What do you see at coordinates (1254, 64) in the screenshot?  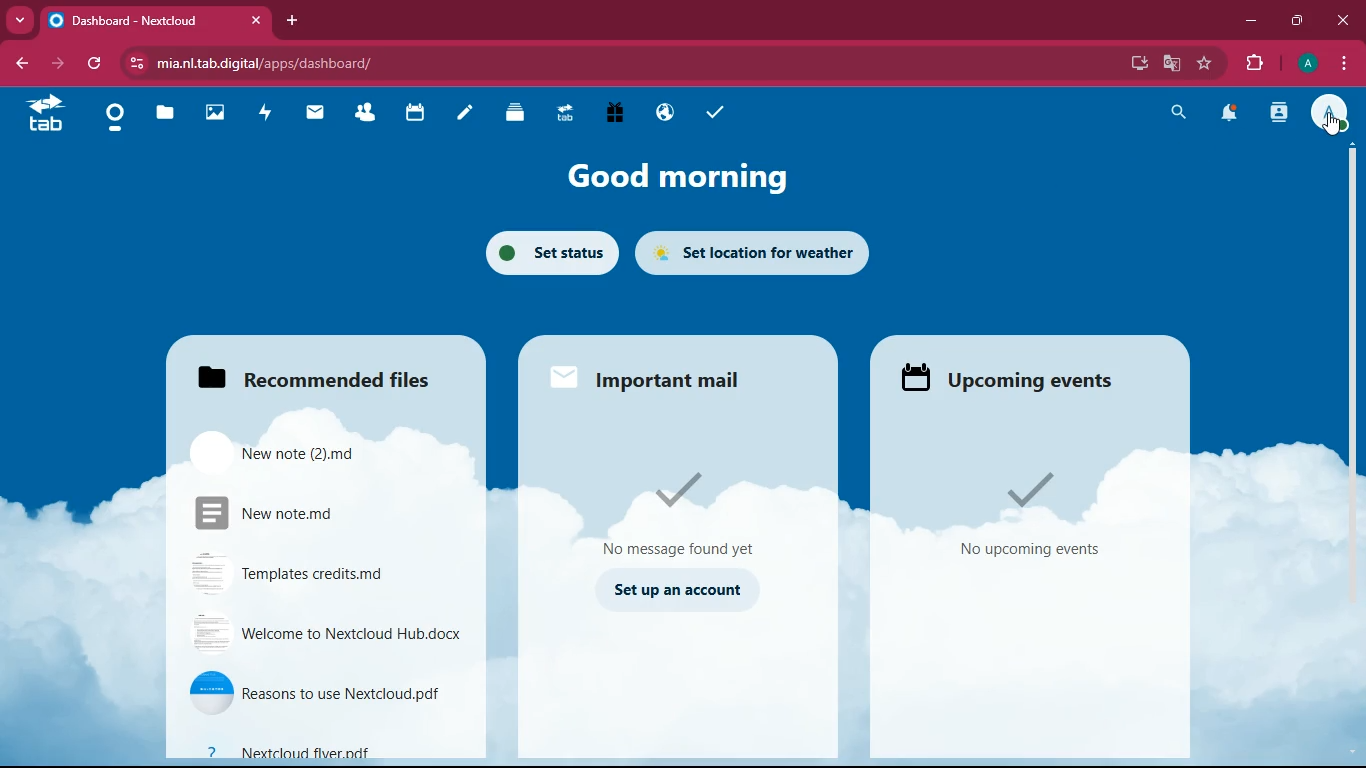 I see `extensions` at bounding box center [1254, 64].